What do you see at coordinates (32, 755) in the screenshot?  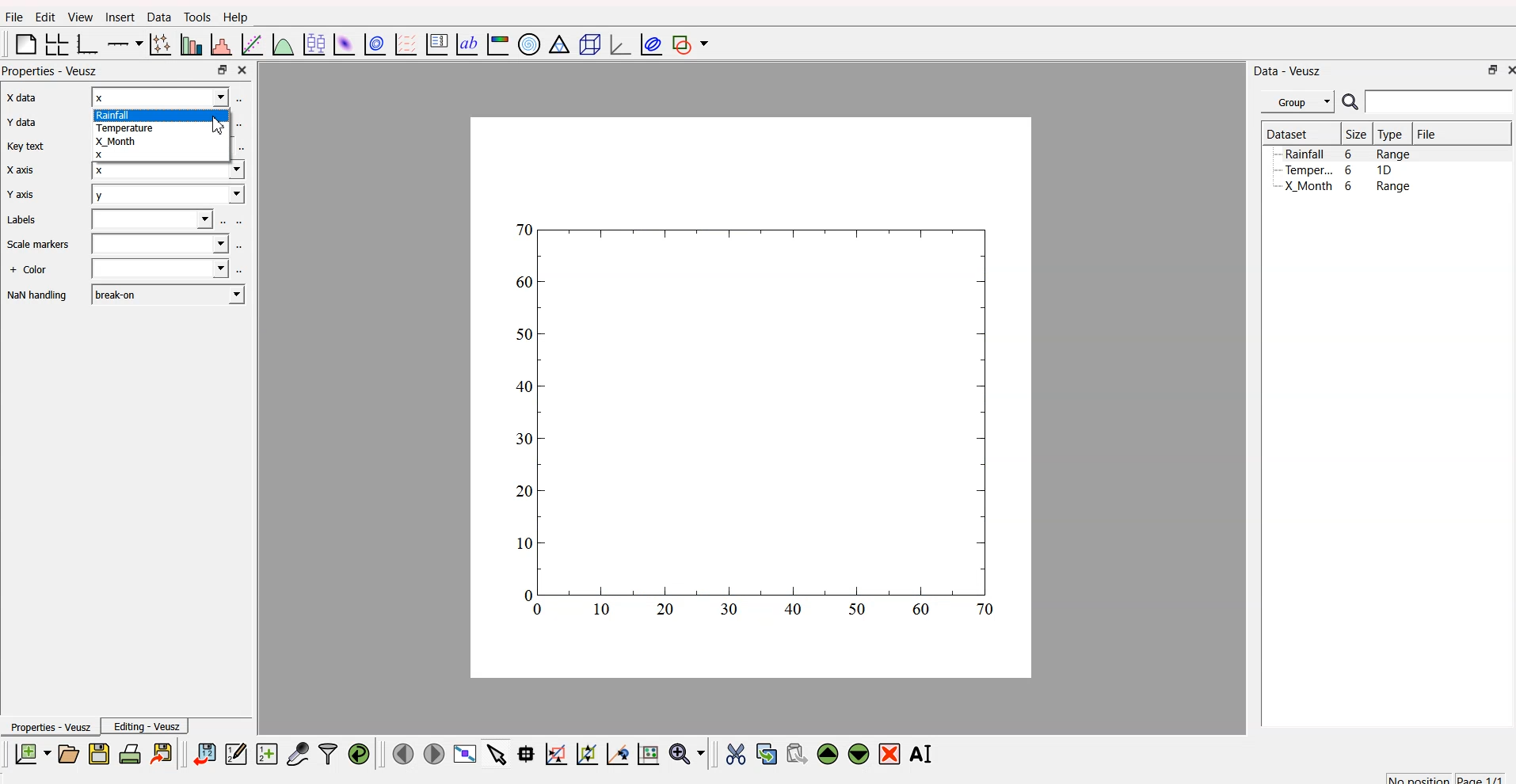 I see `new document` at bounding box center [32, 755].